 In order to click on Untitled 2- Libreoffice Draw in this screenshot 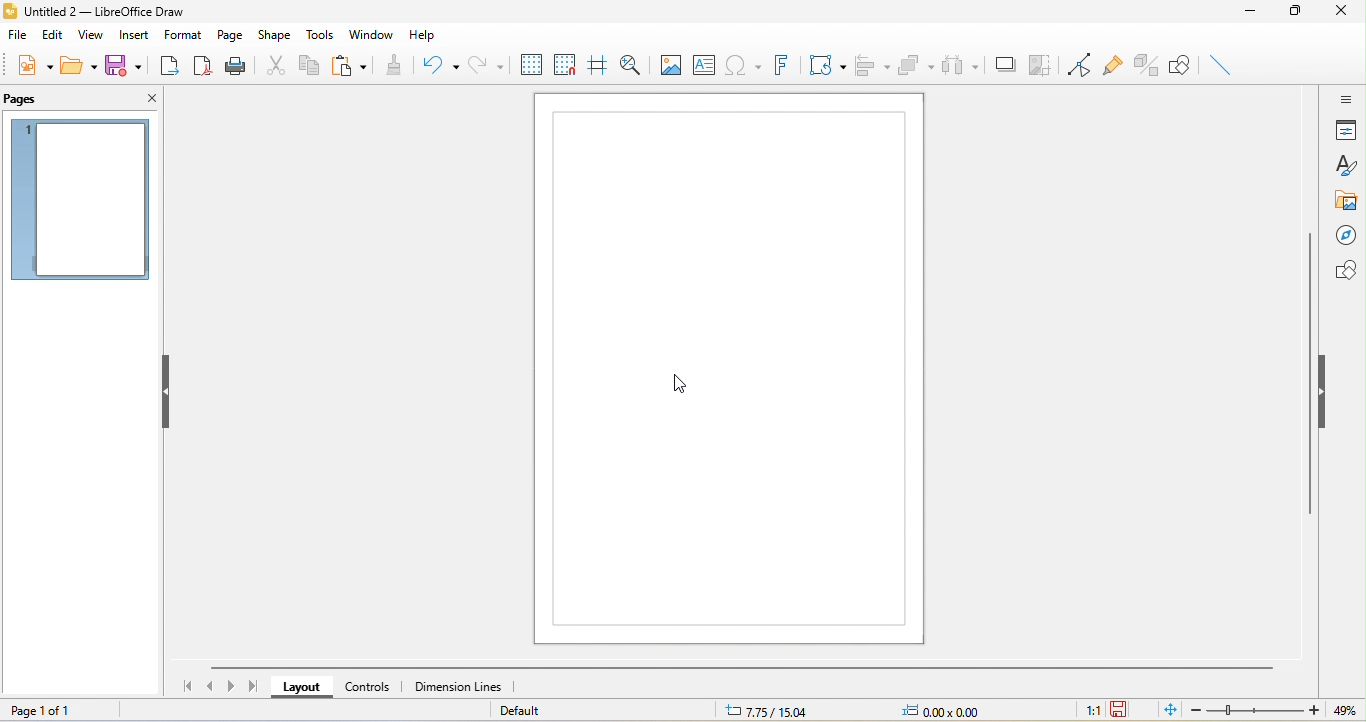, I will do `click(117, 9)`.